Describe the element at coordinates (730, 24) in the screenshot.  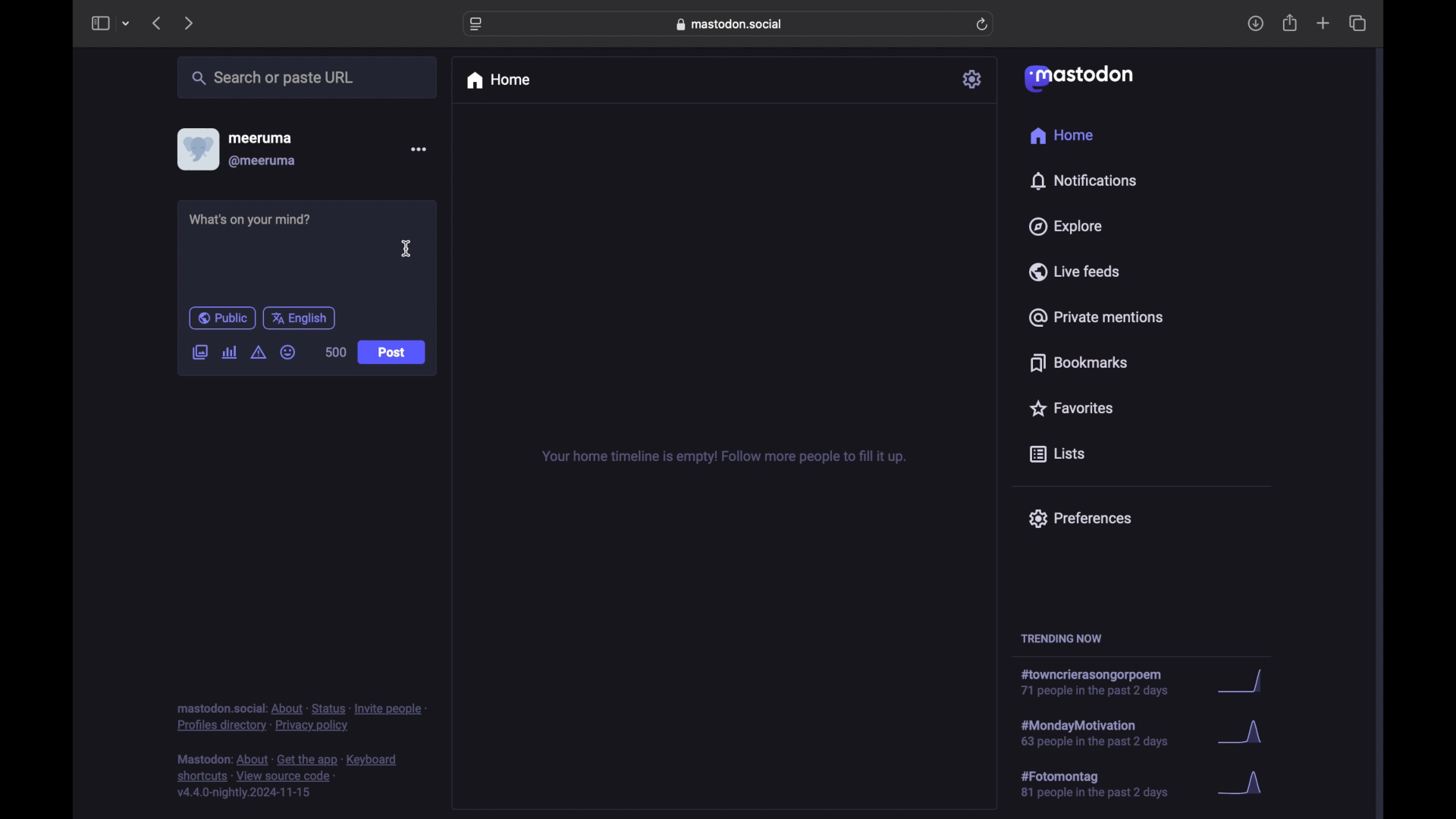
I see `web address` at that location.